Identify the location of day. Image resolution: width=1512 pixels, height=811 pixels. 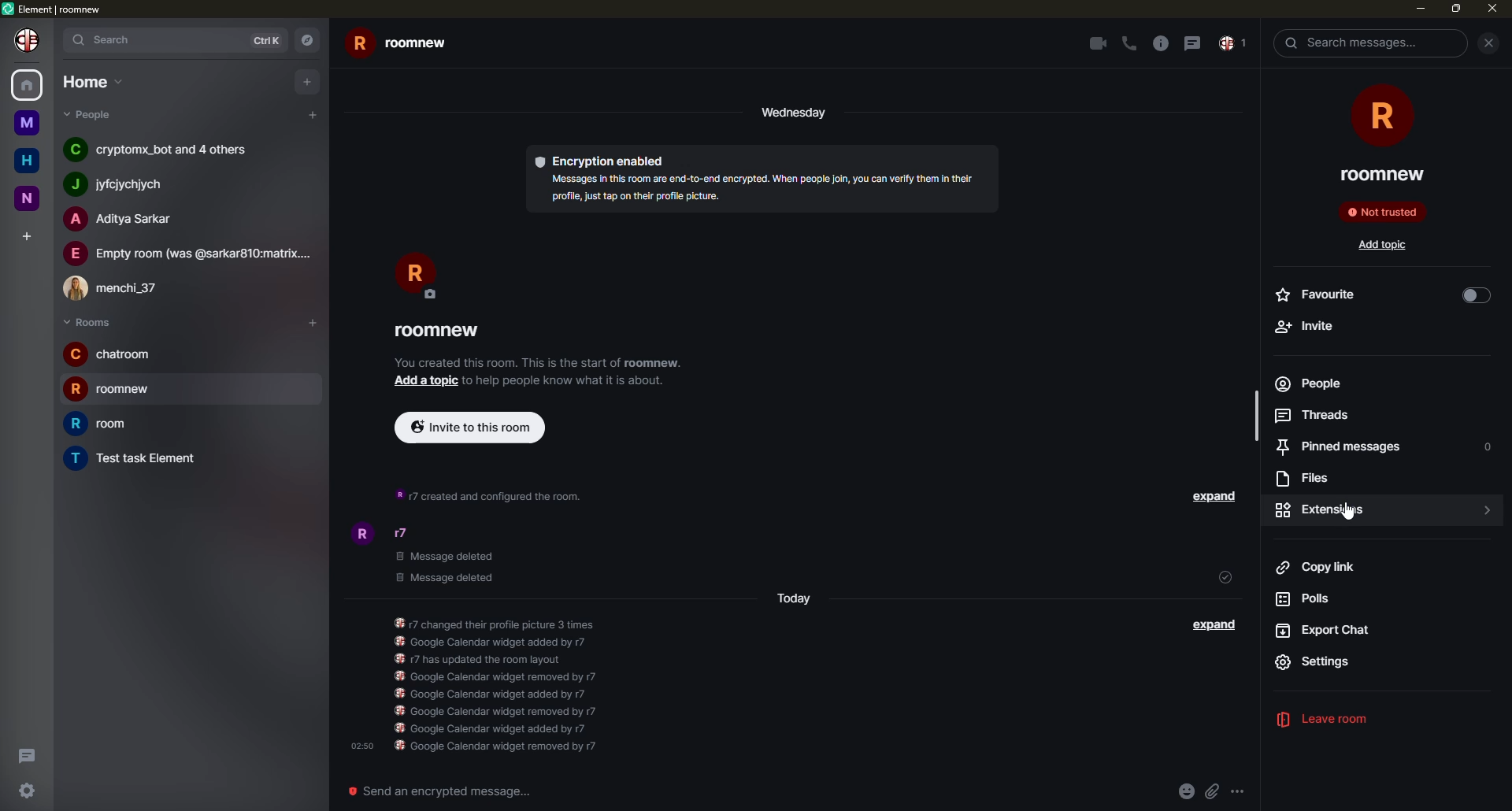
(787, 111).